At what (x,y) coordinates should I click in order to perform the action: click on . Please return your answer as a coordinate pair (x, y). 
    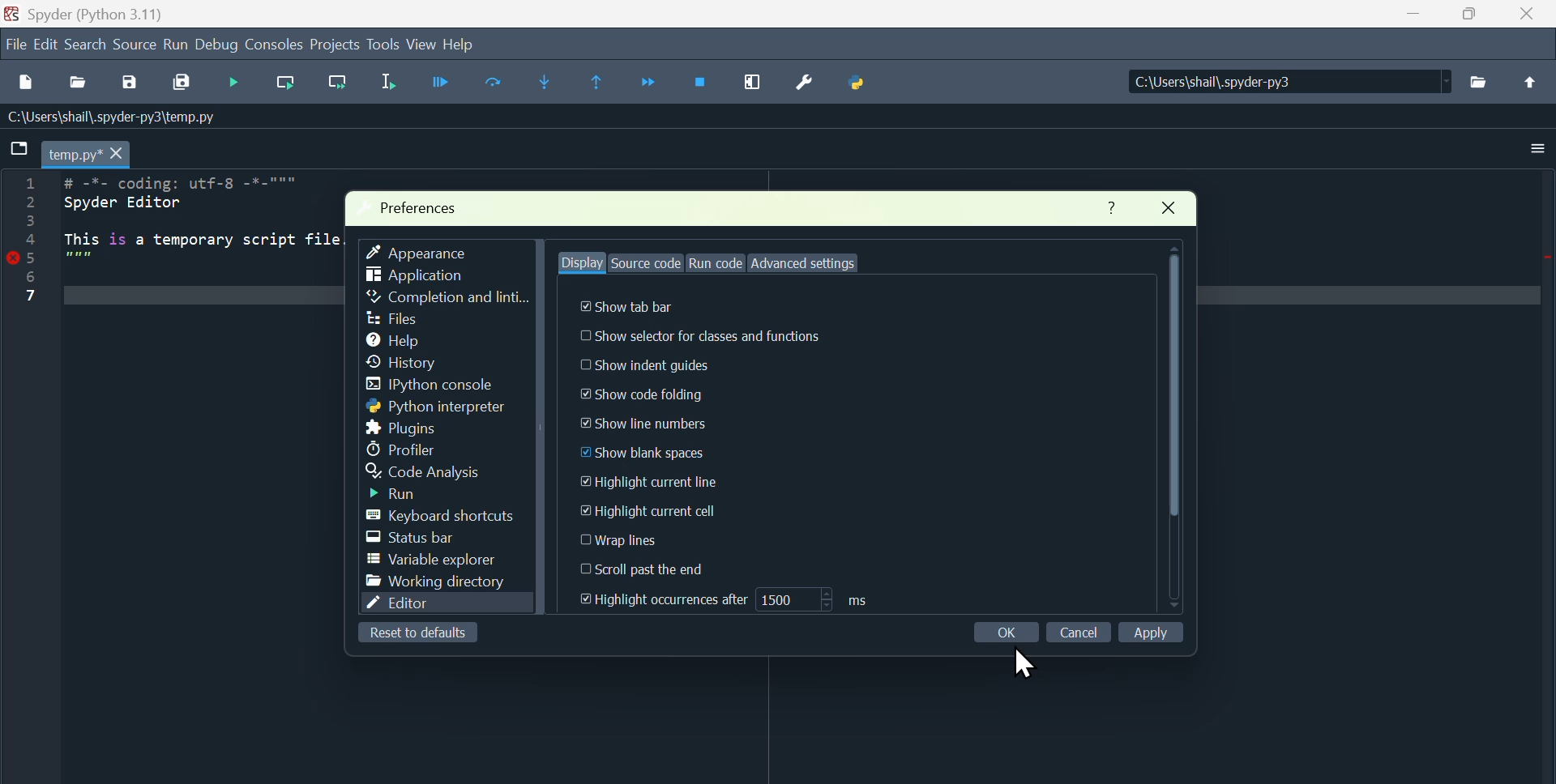
    Looking at the image, I should click on (398, 495).